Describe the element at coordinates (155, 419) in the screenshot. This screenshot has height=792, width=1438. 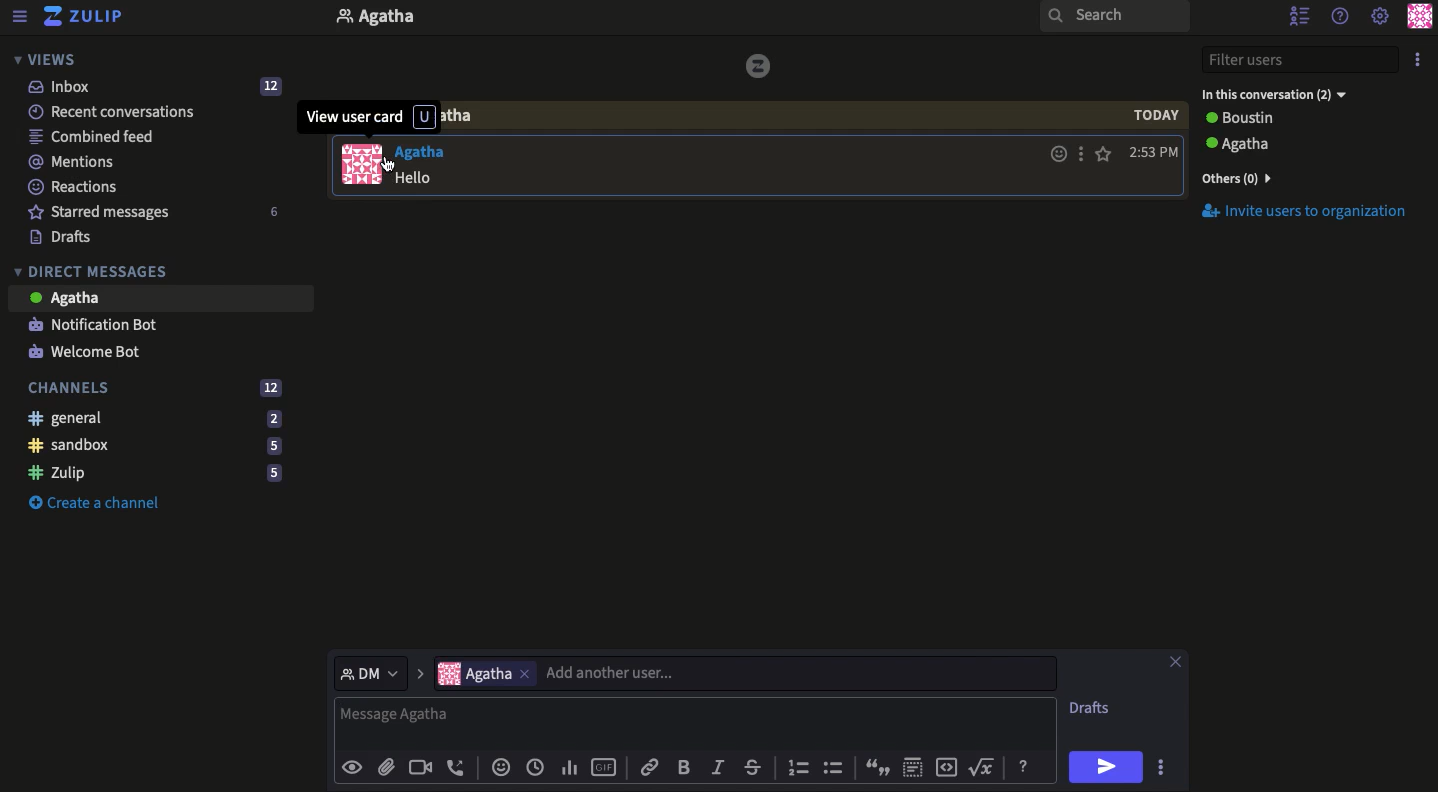
I see `General` at that location.